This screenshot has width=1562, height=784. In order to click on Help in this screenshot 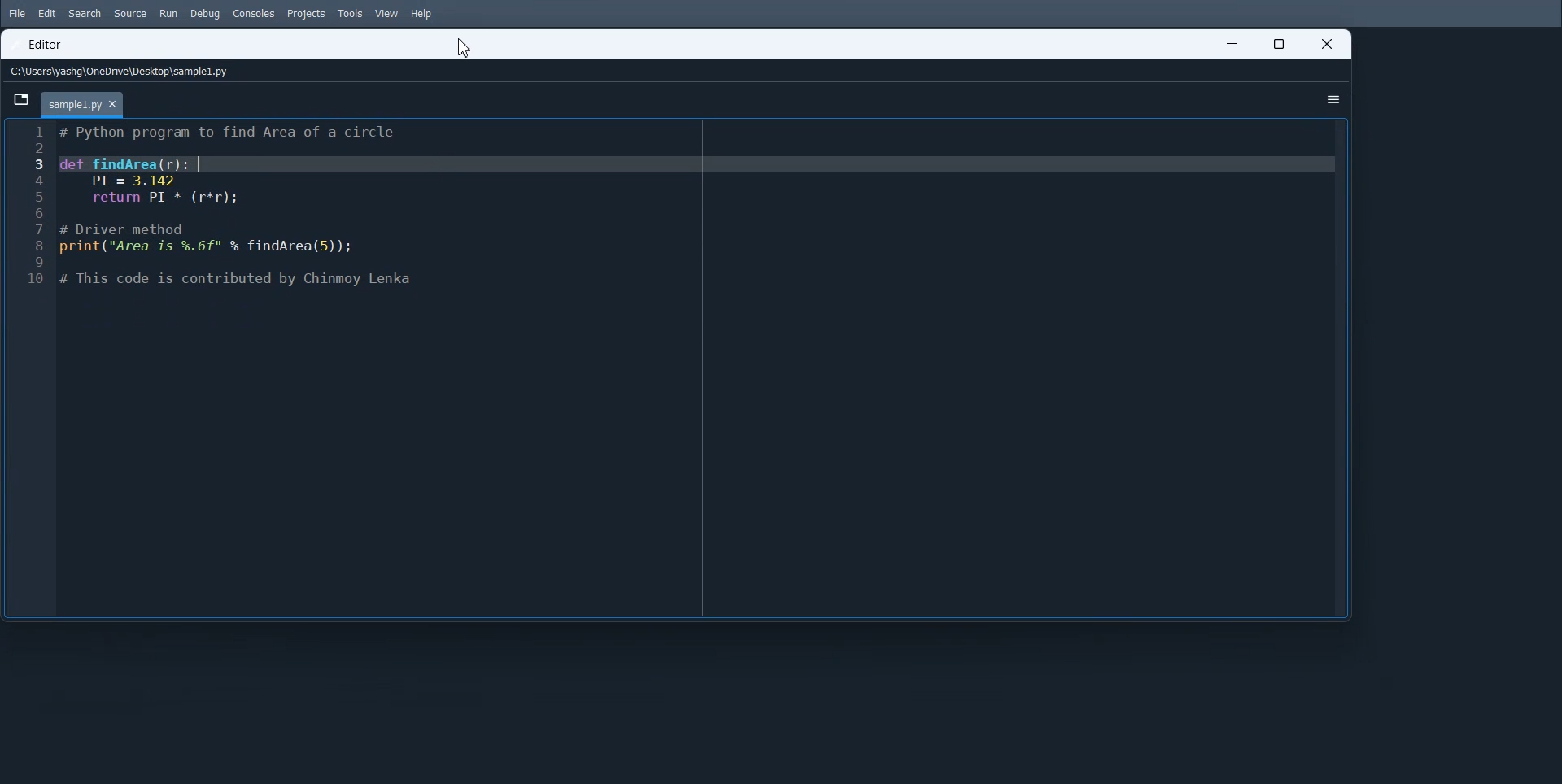, I will do `click(422, 15)`.